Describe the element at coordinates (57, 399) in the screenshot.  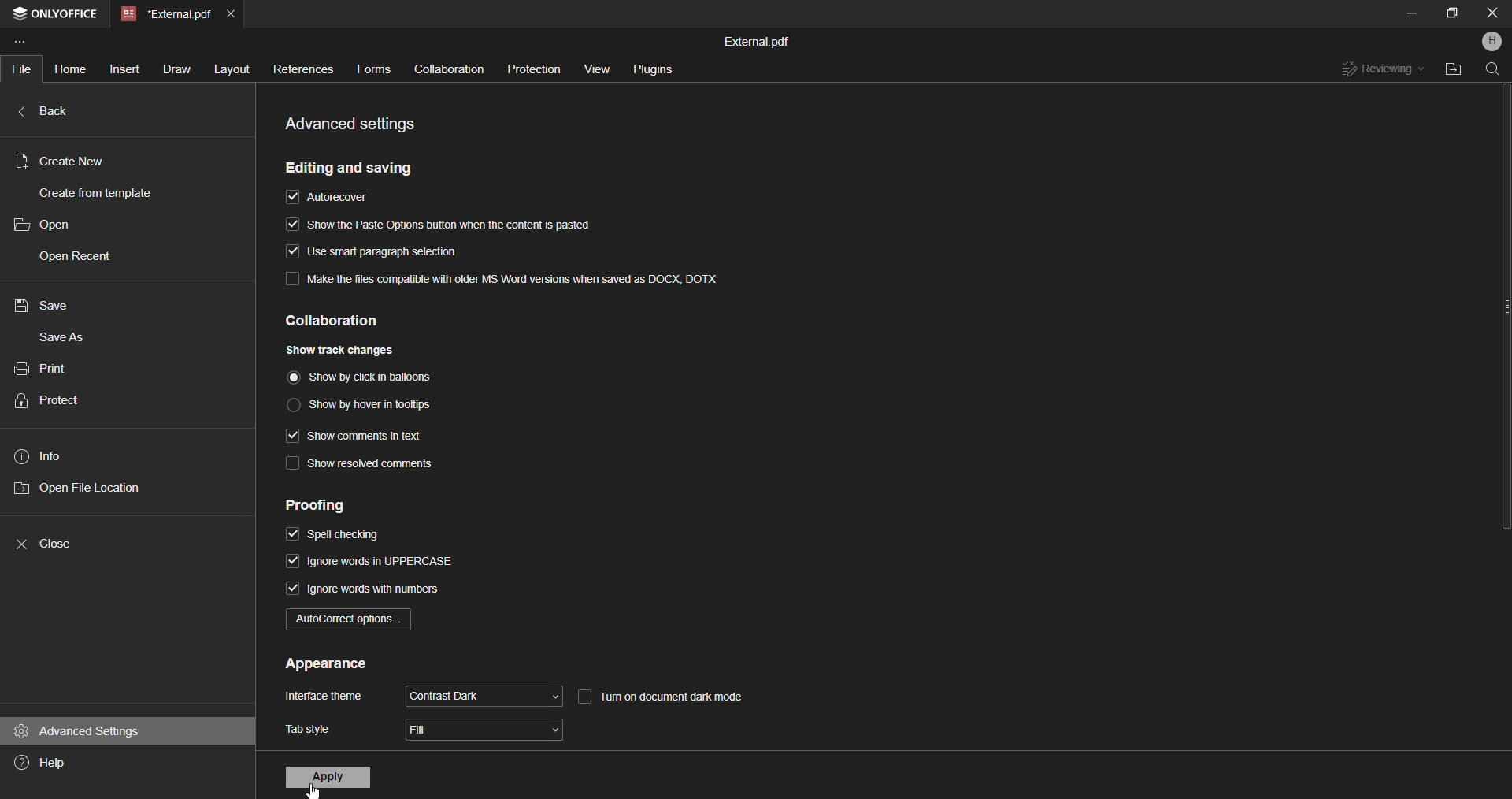
I see `protect` at that location.